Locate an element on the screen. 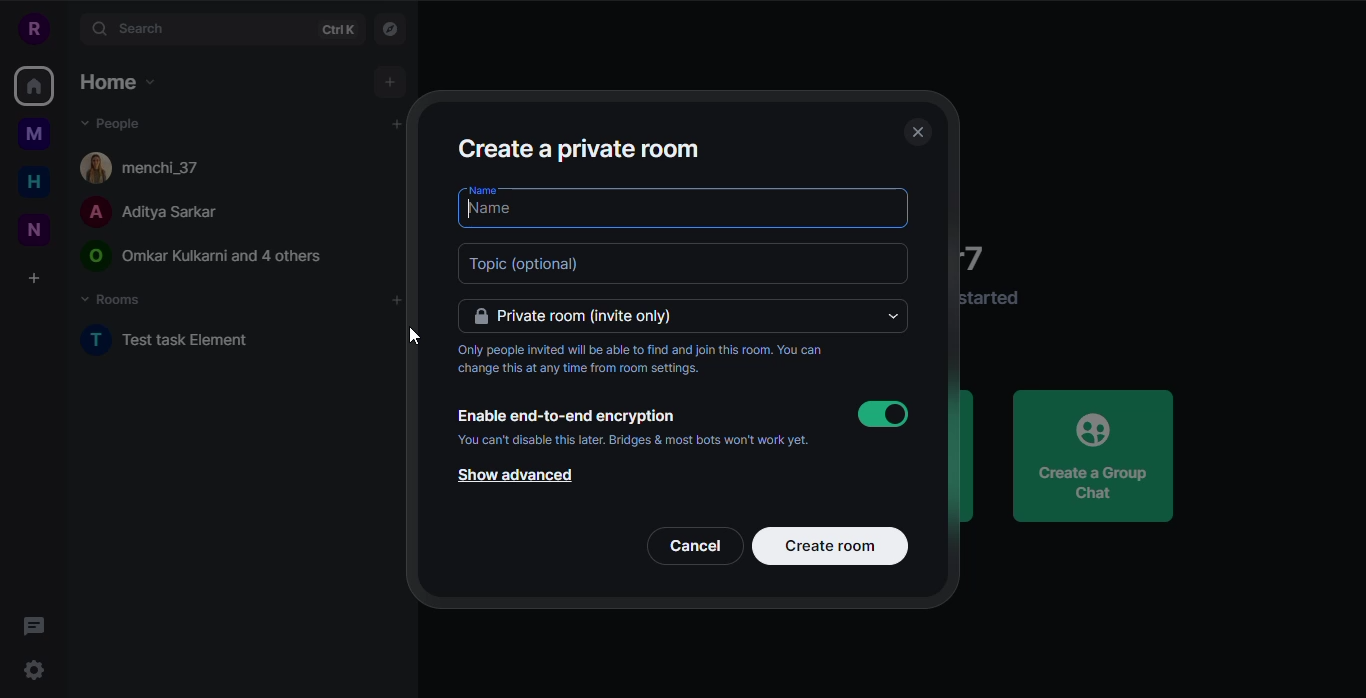 The height and width of the screenshot is (698, 1366). people is located at coordinates (112, 122).